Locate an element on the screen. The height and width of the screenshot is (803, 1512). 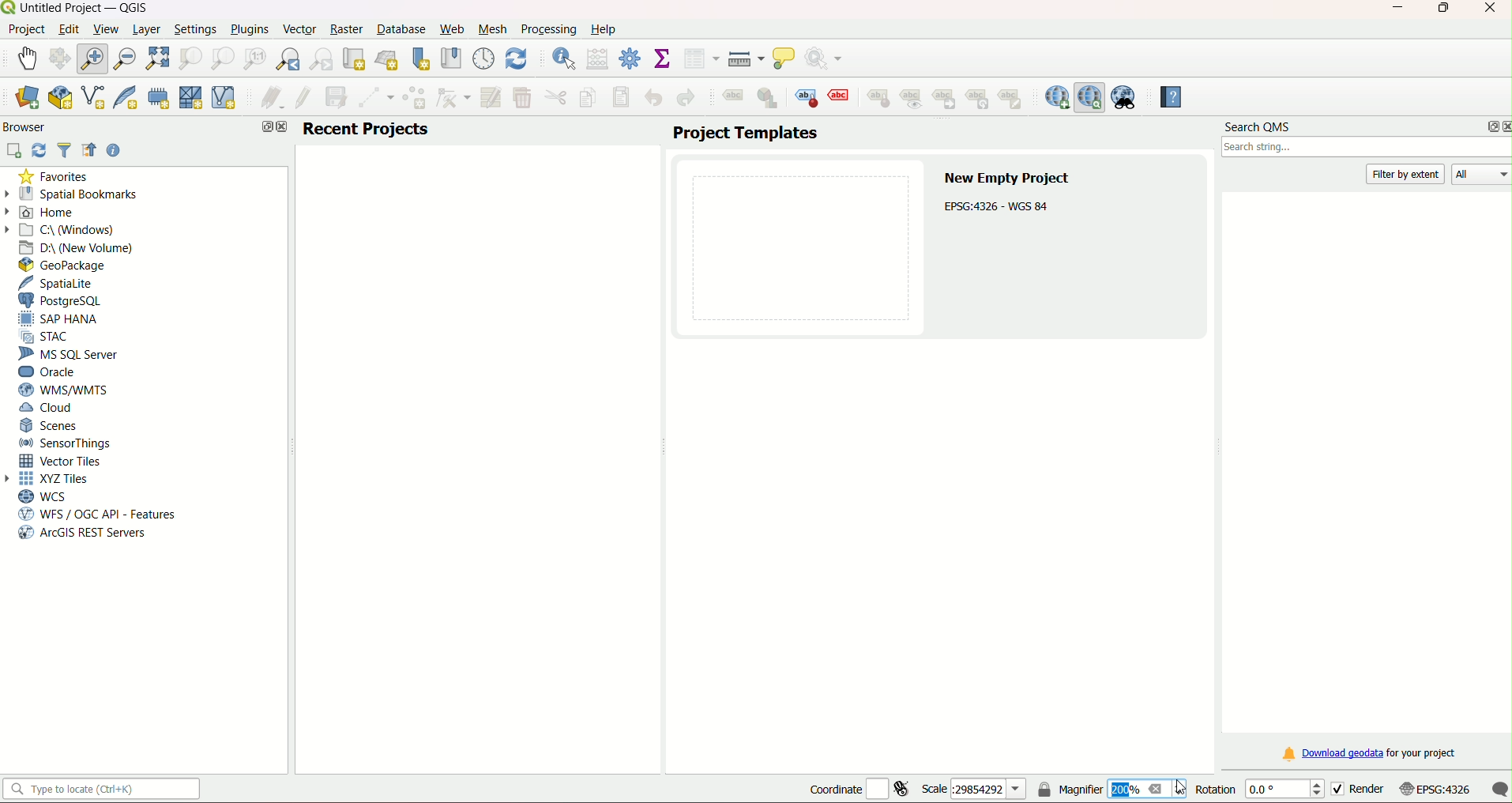
search bar is located at coordinates (1364, 149).